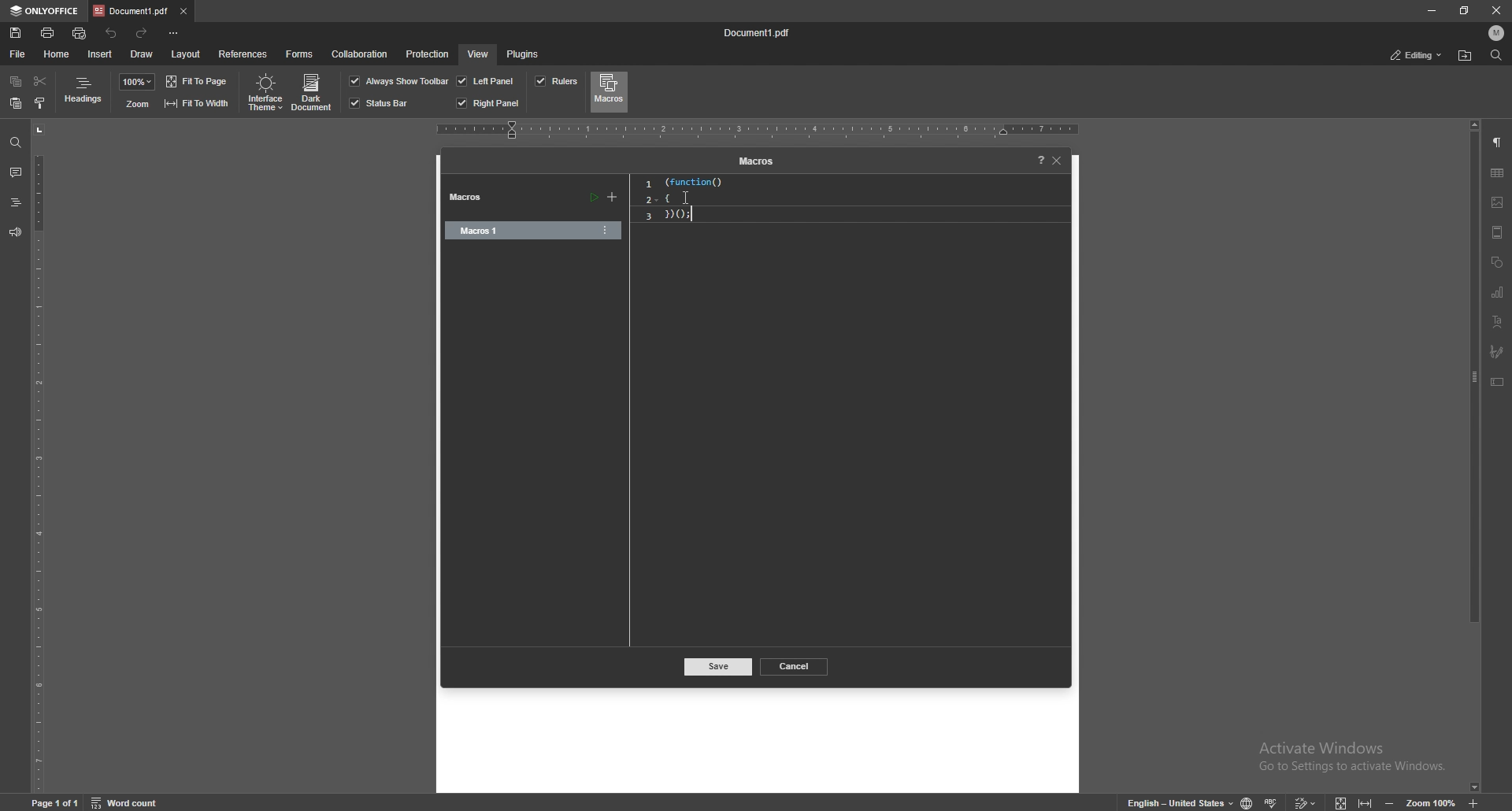 This screenshot has width=1512, height=811. What do you see at coordinates (84, 93) in the screenshot?
I see `headings` at bounding box center [84, 93].